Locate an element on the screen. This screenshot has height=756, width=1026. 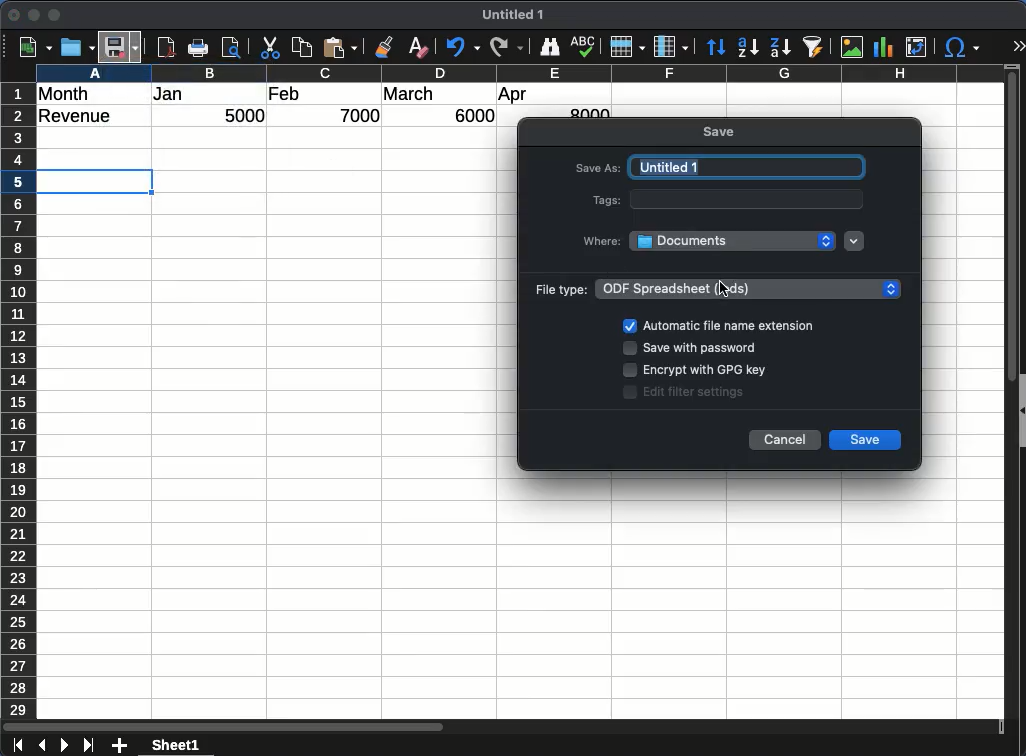
paste is located at coordinates (342, 48).